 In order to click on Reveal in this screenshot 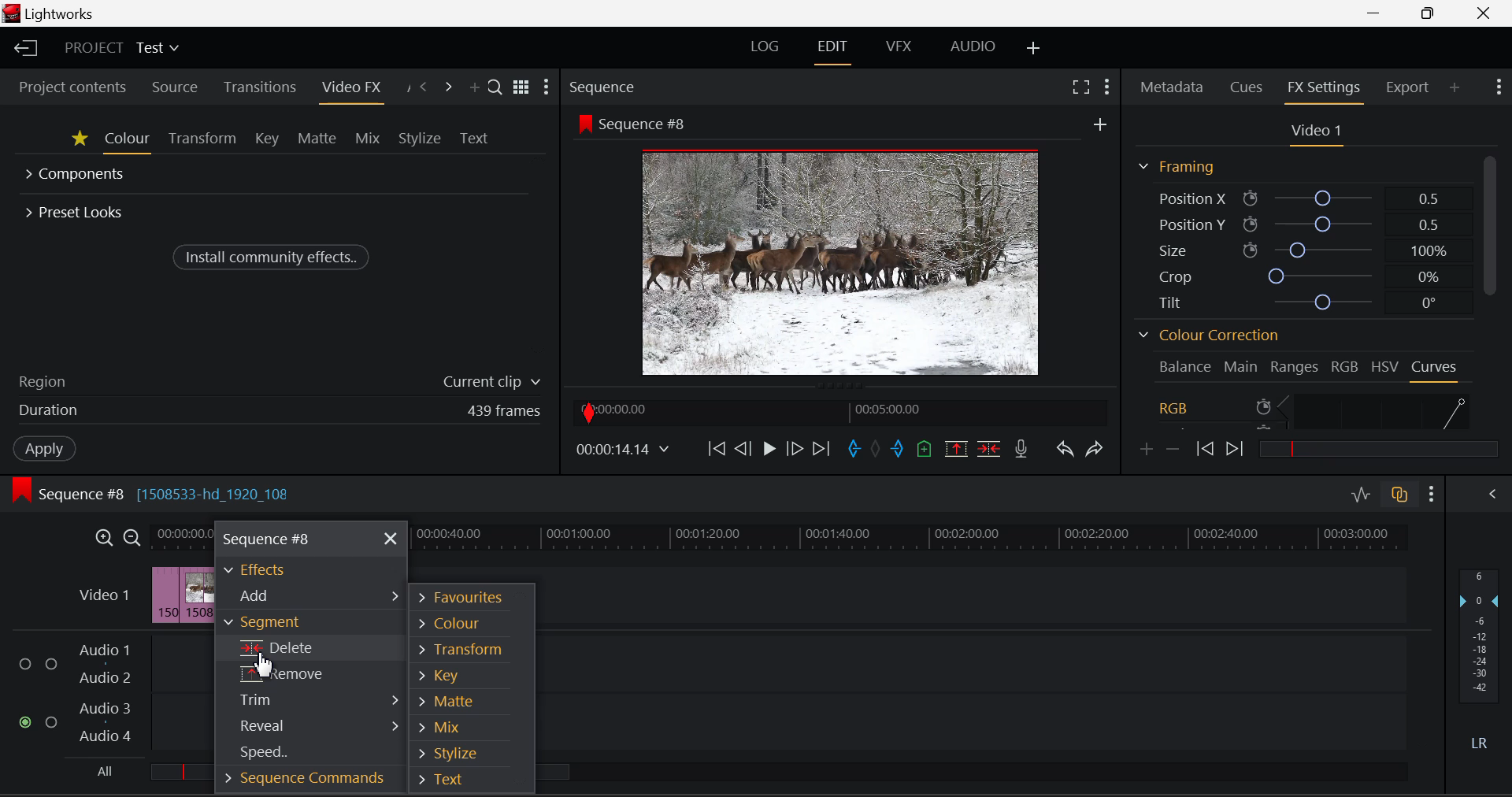, I will do `click(310, 725)`.